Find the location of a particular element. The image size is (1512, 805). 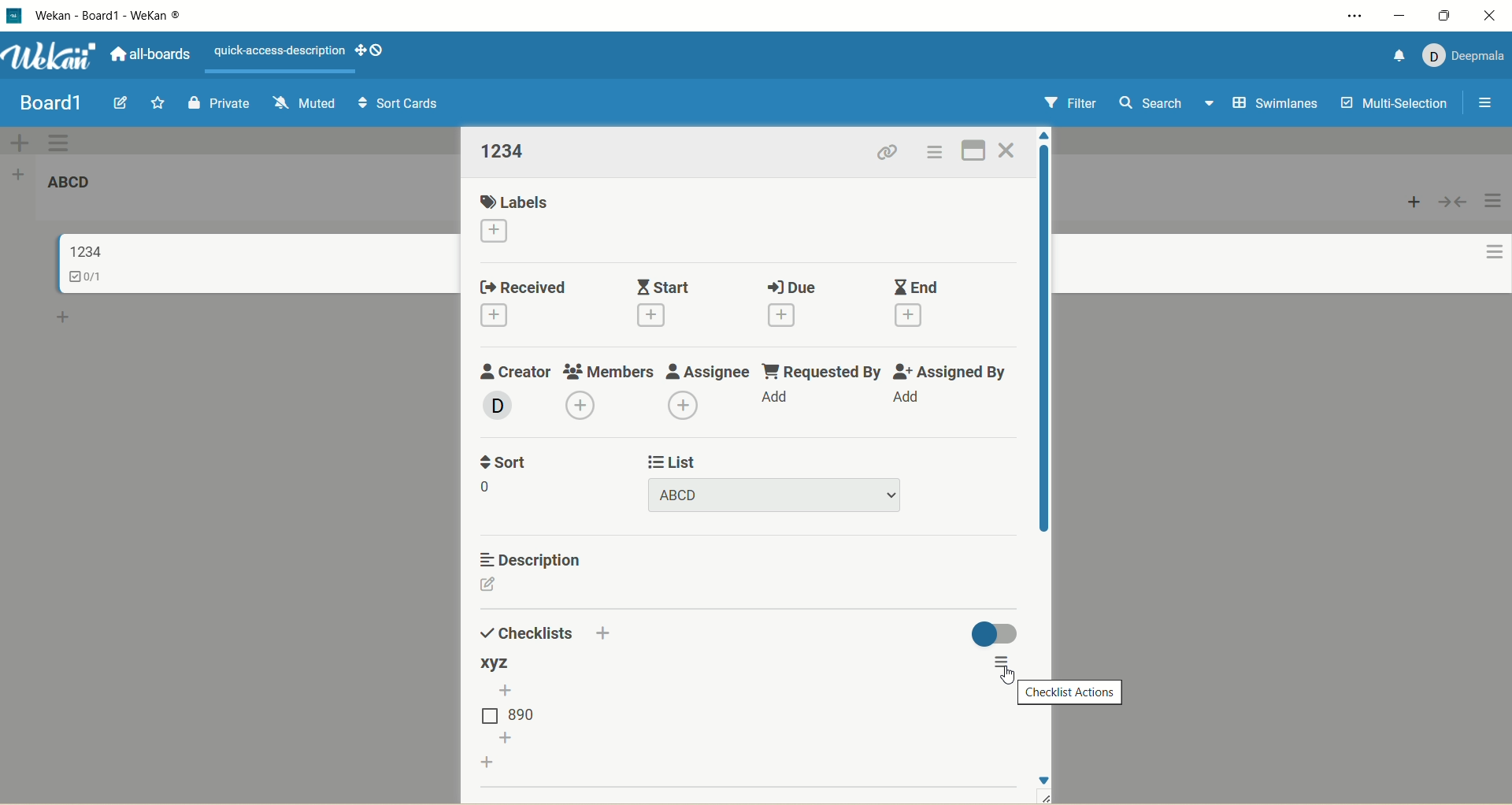

assignee is located at coordinates (707, 369).